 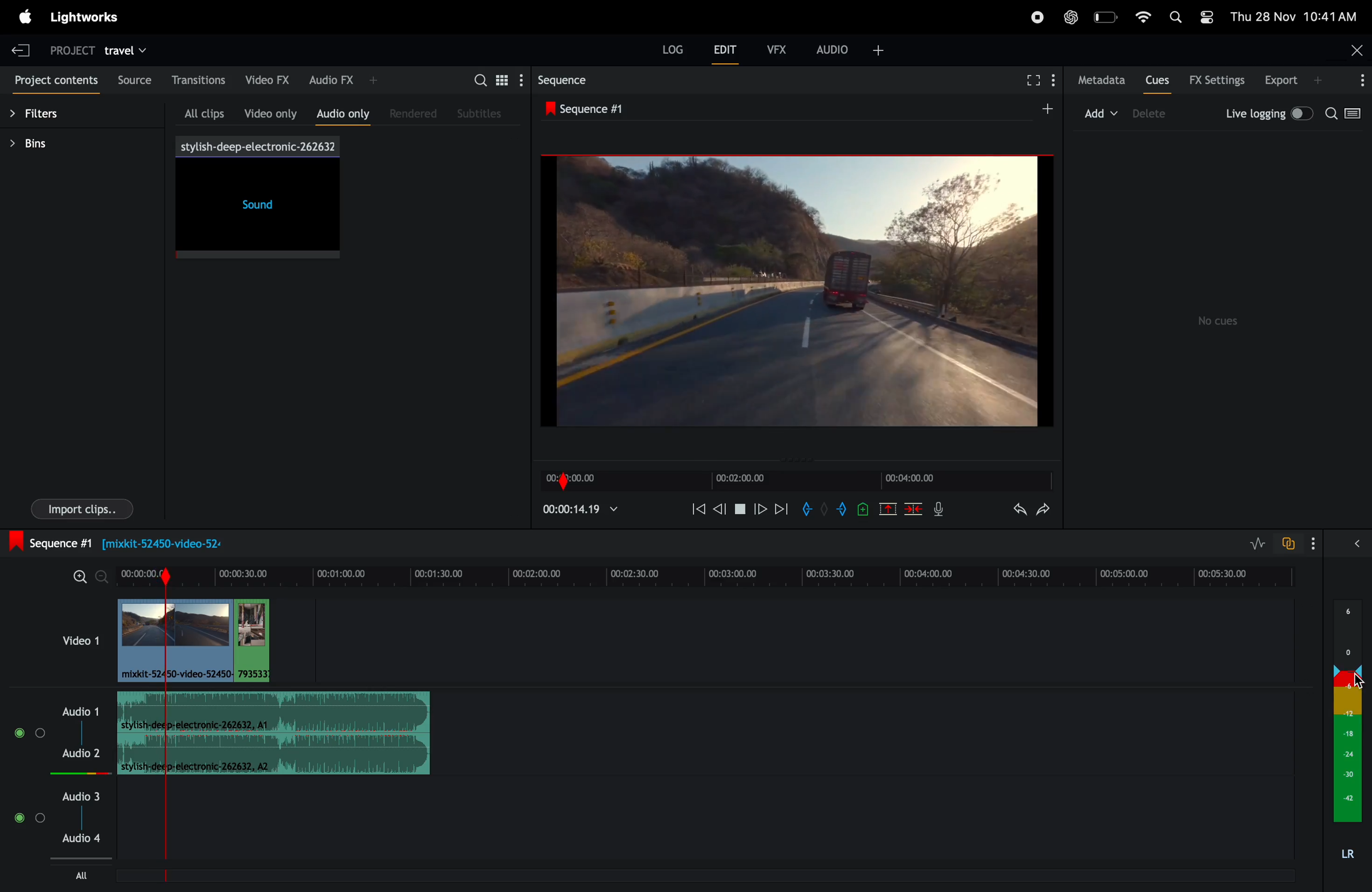 I want to click on Audio 2, so click(x=84, y=755).